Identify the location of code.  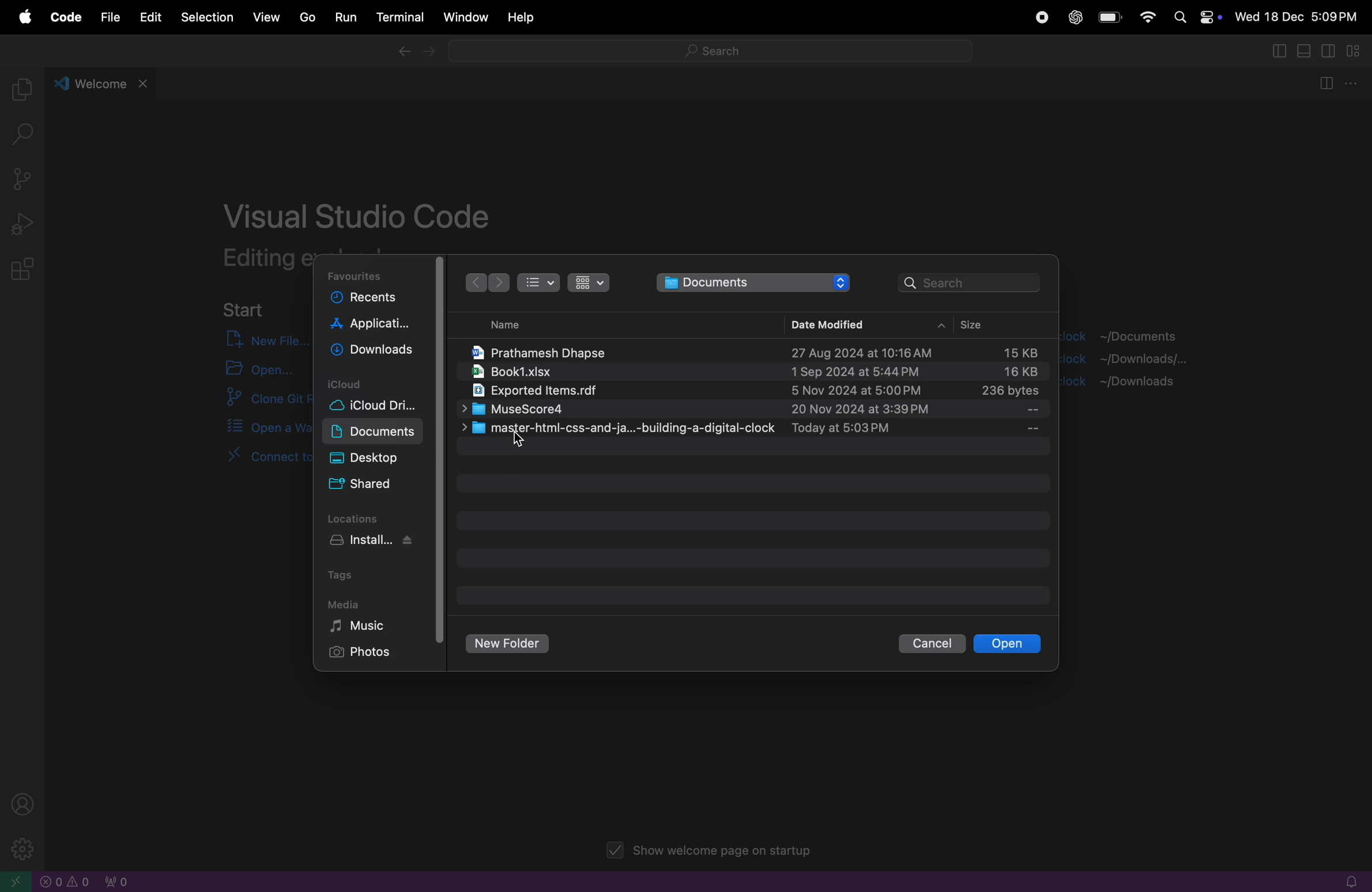
(63, 18).